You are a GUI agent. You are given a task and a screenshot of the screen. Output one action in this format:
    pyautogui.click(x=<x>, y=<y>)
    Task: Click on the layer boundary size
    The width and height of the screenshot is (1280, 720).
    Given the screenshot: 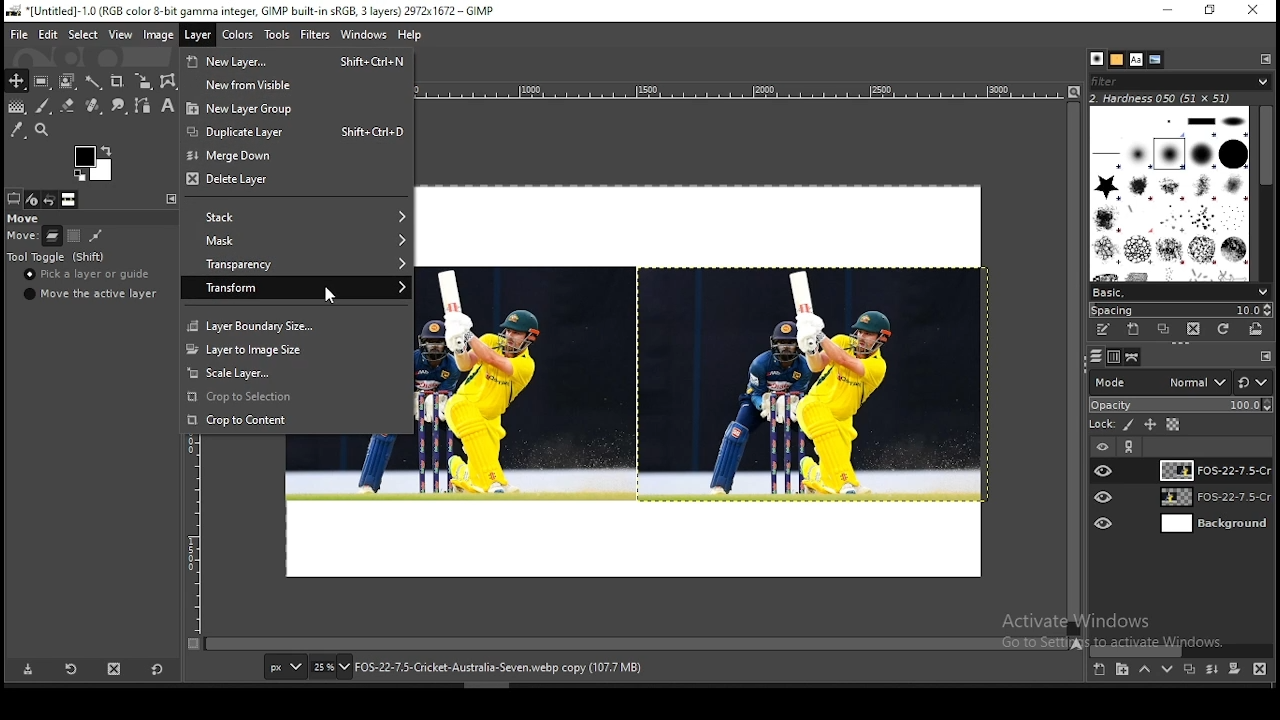 What is the action you would take?
    pyautogui.click(x=295, y=324)
    